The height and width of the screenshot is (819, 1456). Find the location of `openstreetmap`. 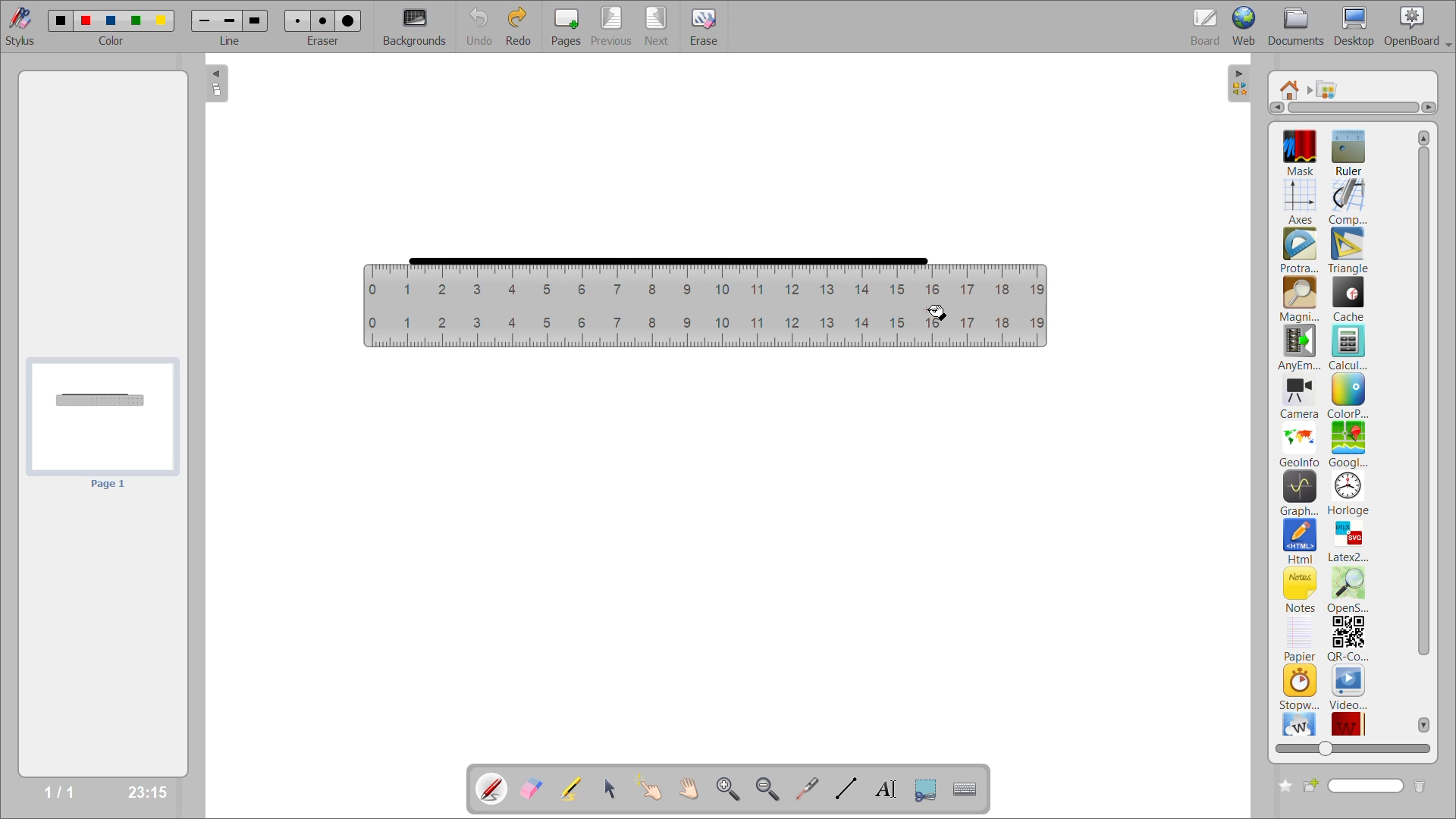

openstreetmap is located at coordinates (1351, 591).